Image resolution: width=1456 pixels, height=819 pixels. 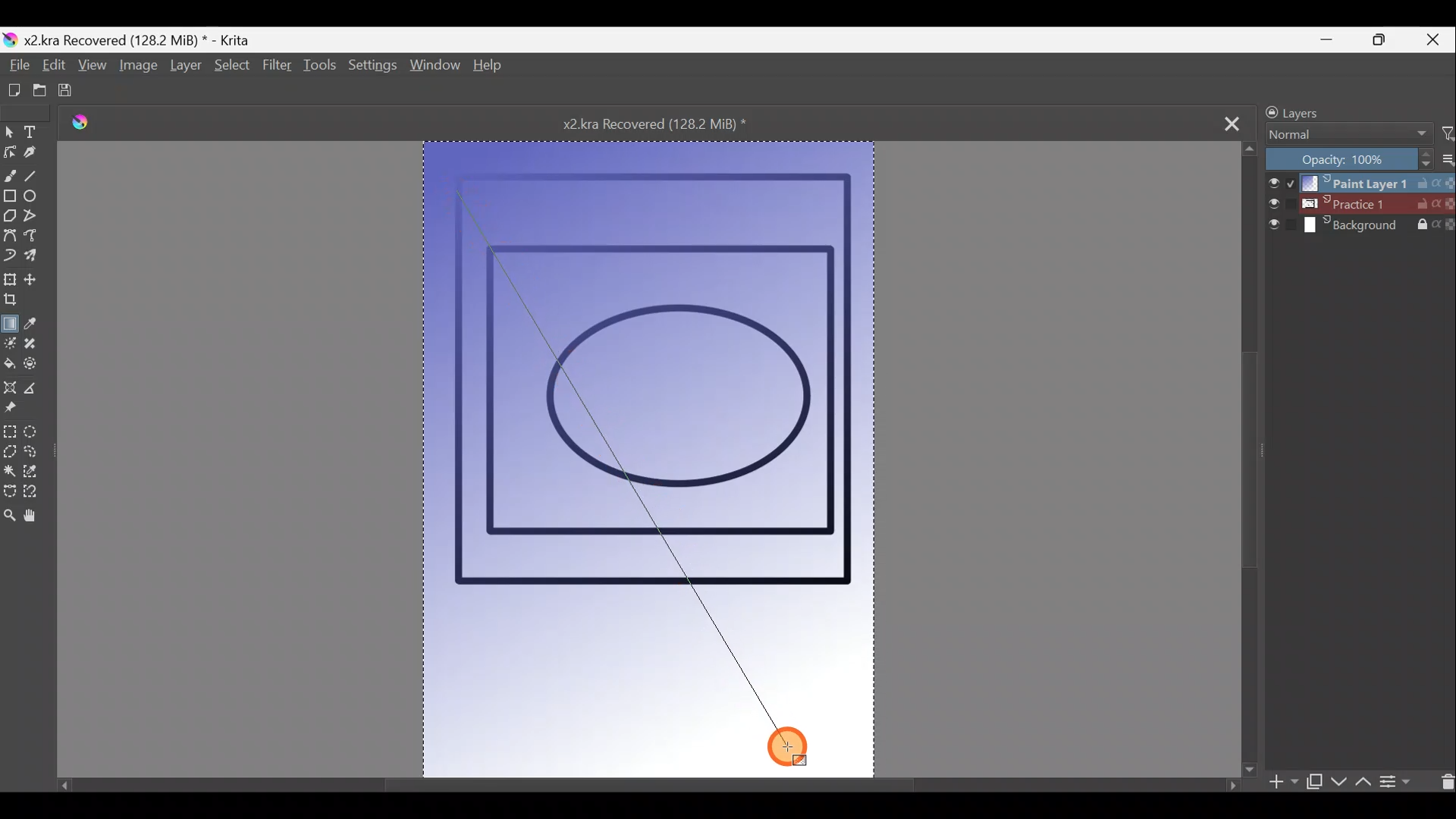 I want to click on Settings, so click(x=374, y=70).